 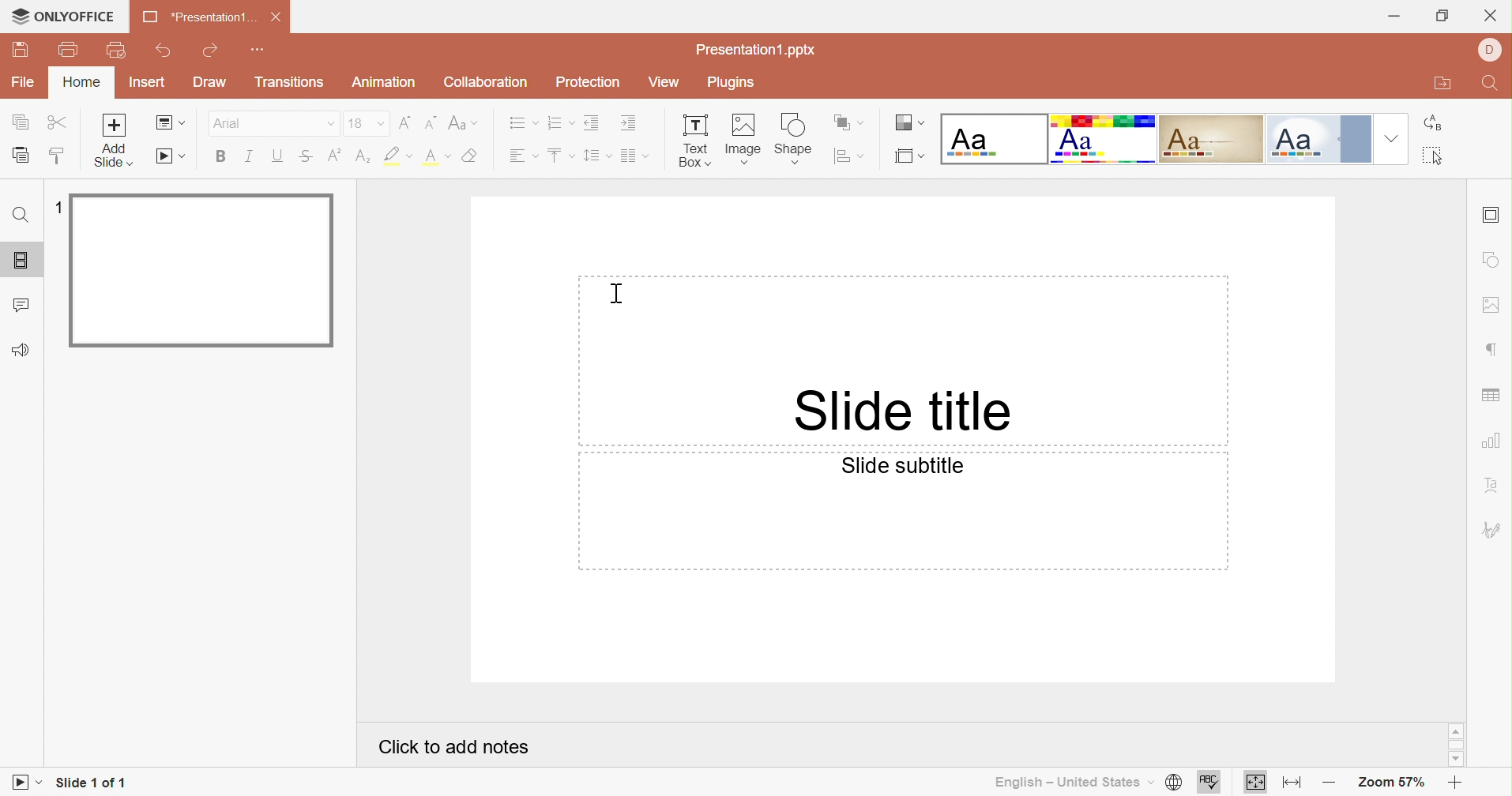 What do you see at coordinates (1330, 782) in the screenshot?
I see `Zoom out` at bounding box center [1330, 782].